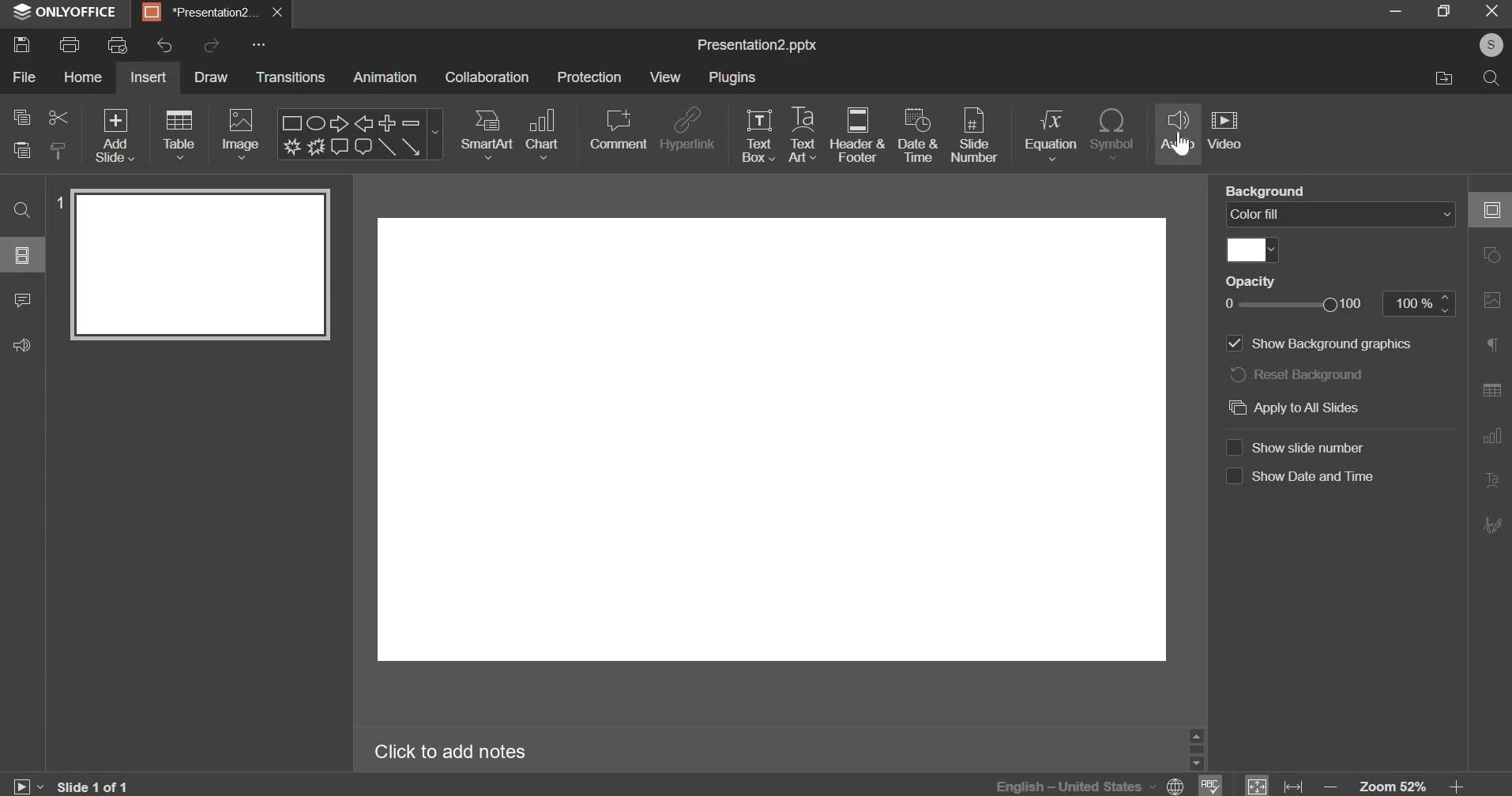 The height and width of the screenshot is (796, 1512). What do you see at coordinates (1491, 436) in the screenshot?
I see `chart settings` at bounding box center [1491, 436].